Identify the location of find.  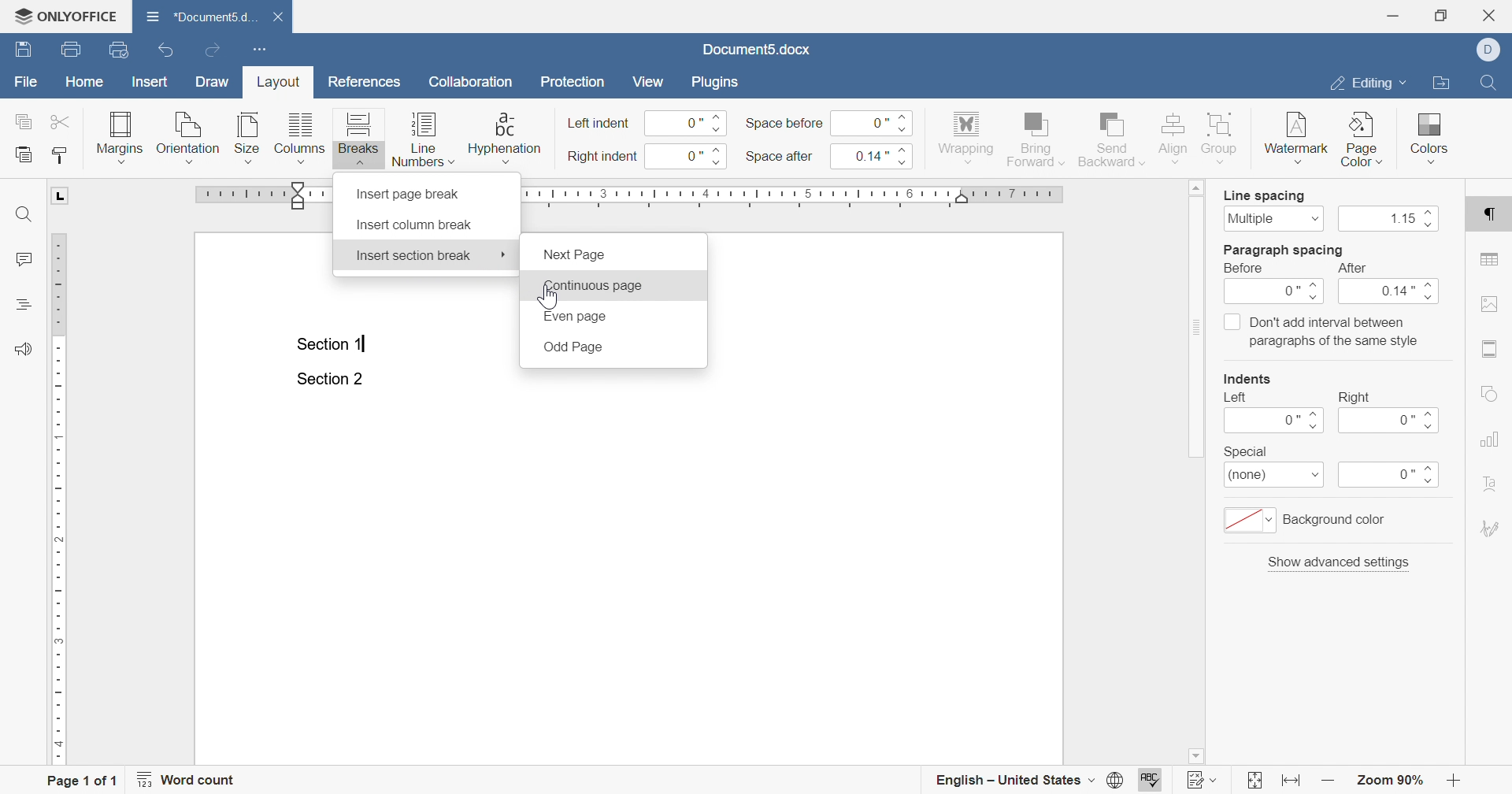
(26, 213).